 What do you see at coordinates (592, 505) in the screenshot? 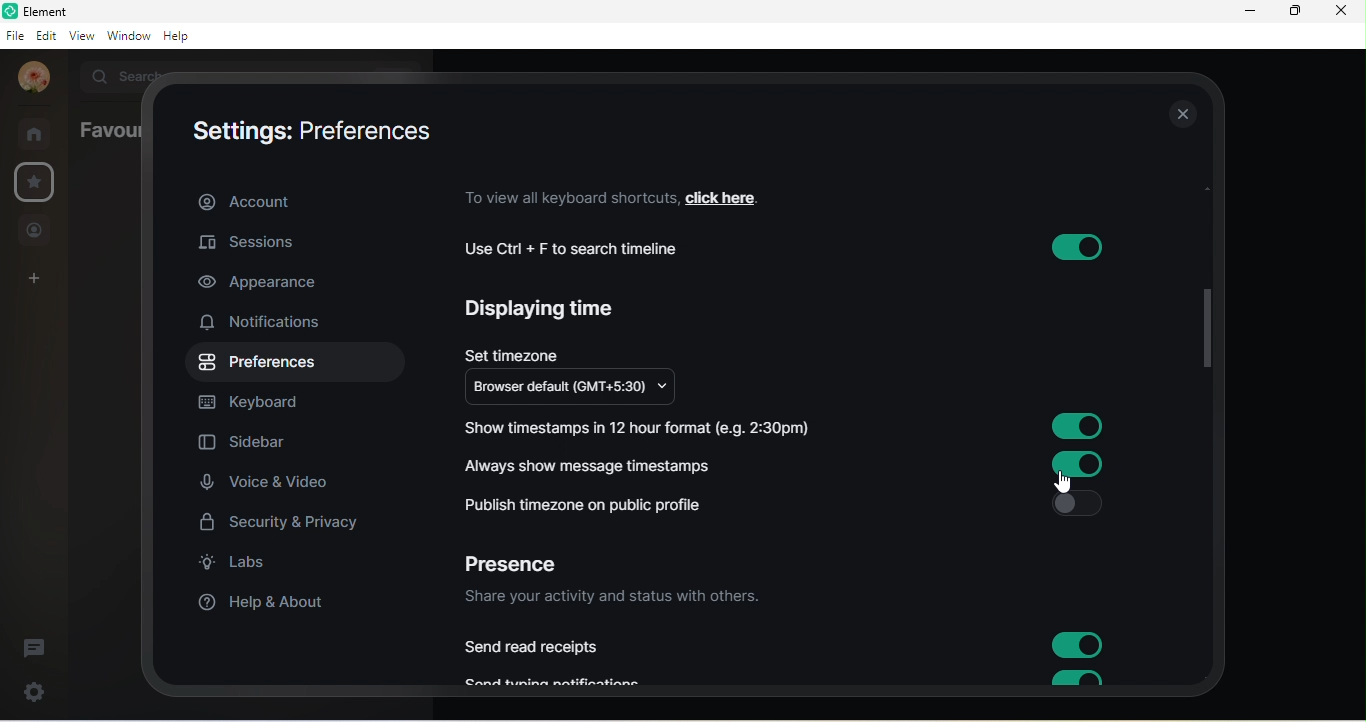
I see `publish timezone on public profile` at bounding box center [592, 505].